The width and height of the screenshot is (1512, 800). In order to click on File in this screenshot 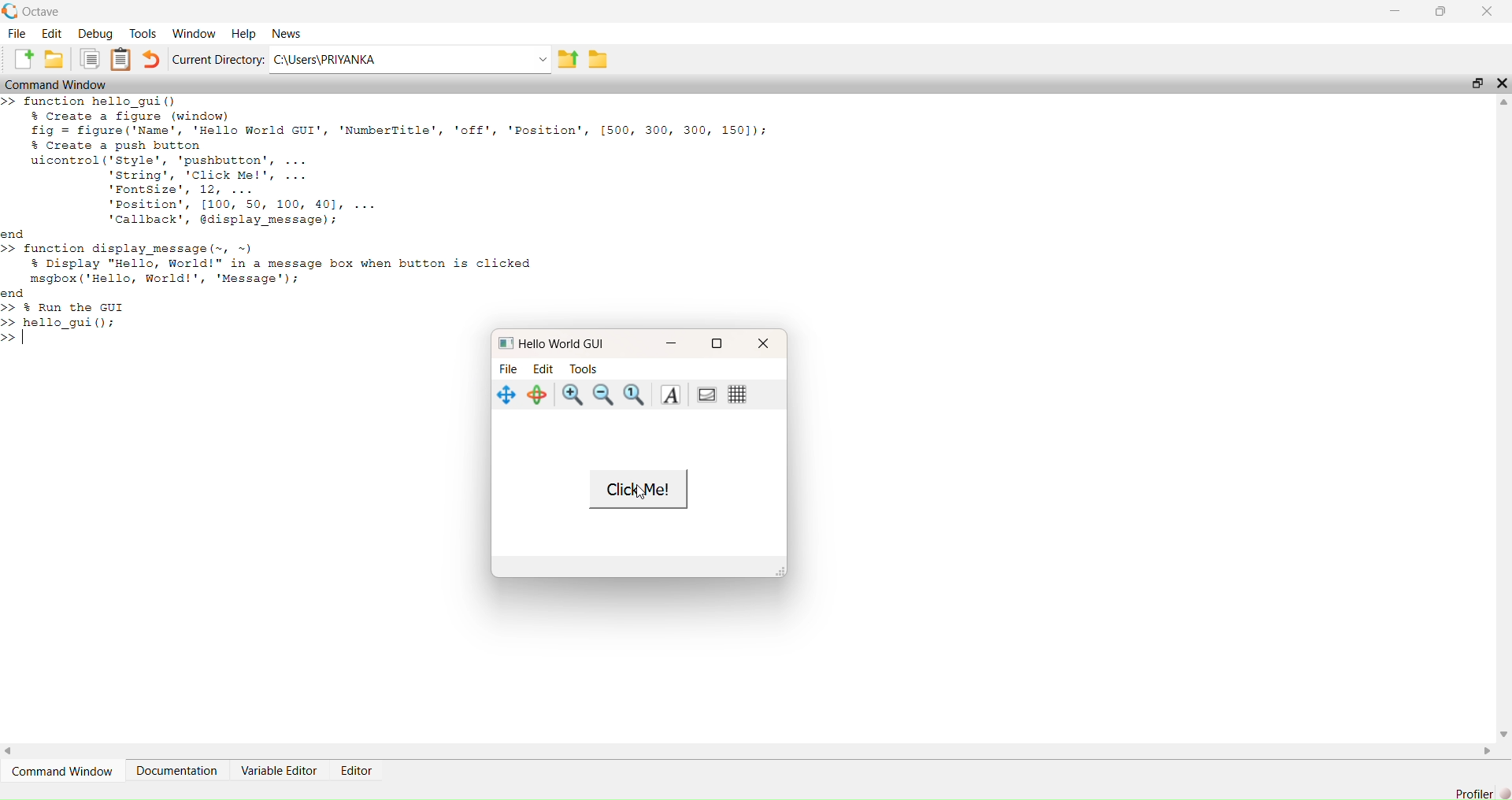, I will do `click(16, 33)`.